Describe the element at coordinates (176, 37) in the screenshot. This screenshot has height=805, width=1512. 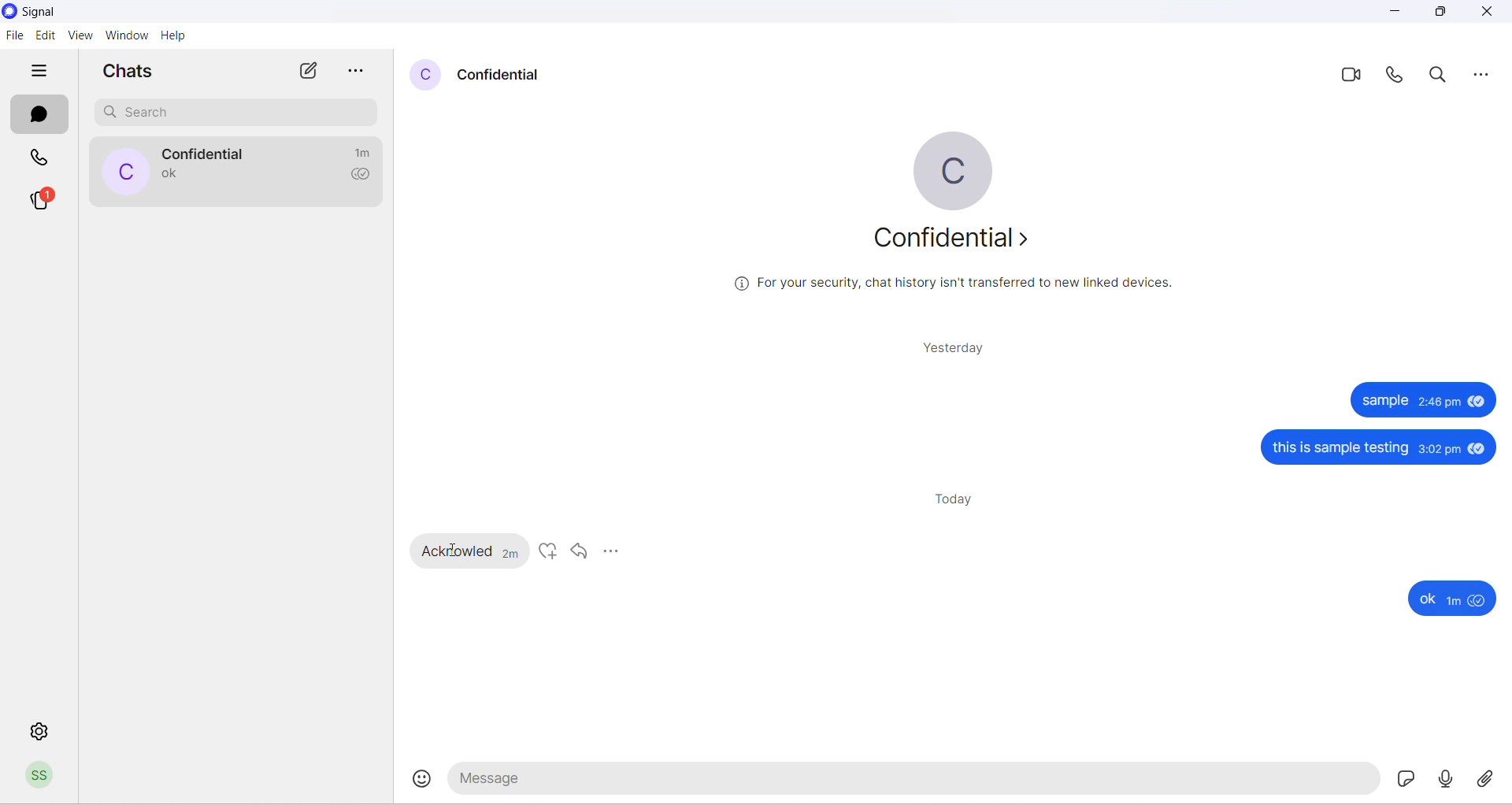
I see `help` at that location.